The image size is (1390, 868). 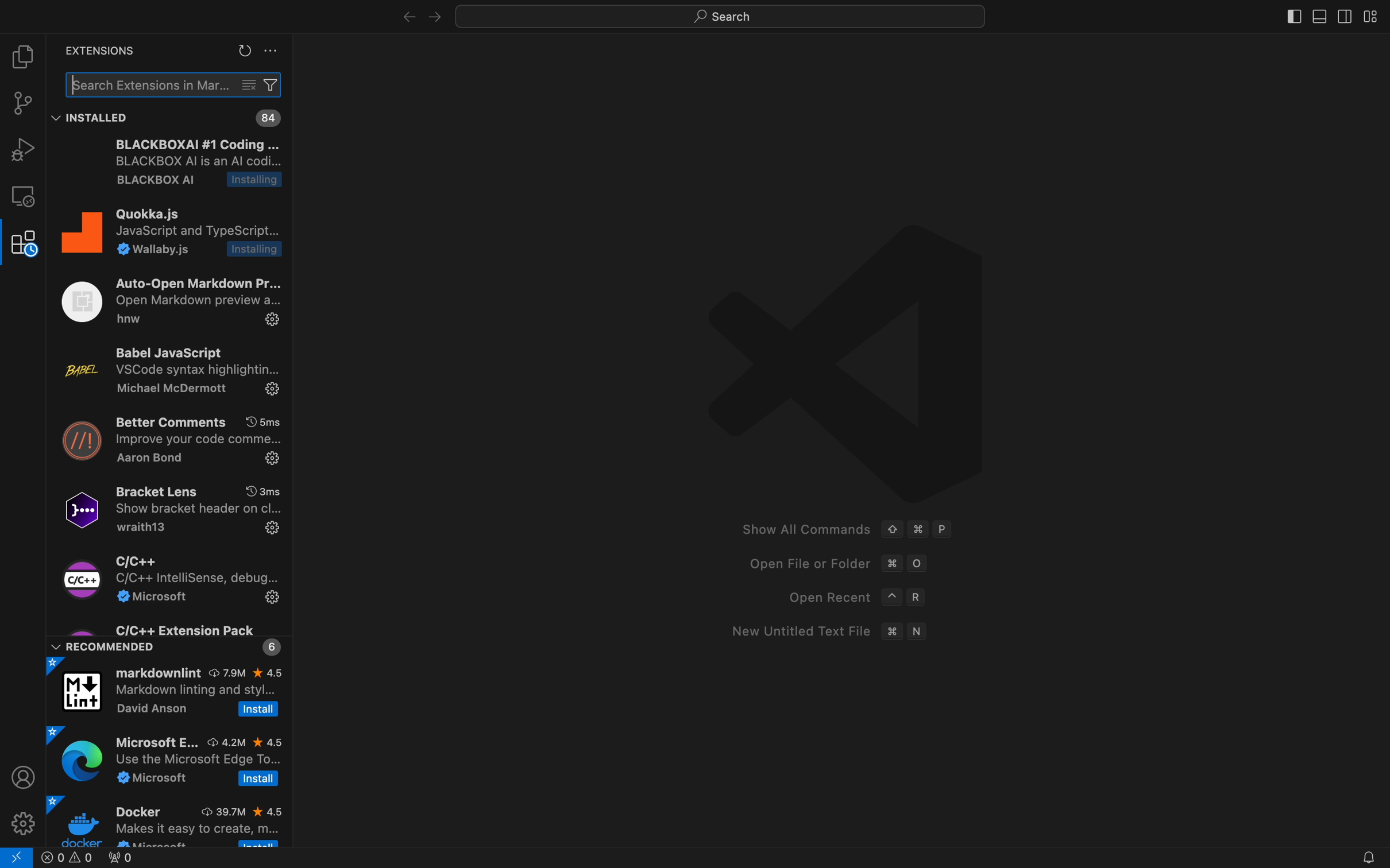 What do you see at coordinates (23, 103) in the screenshot?
I see `git` at bounding box center [23, 103].